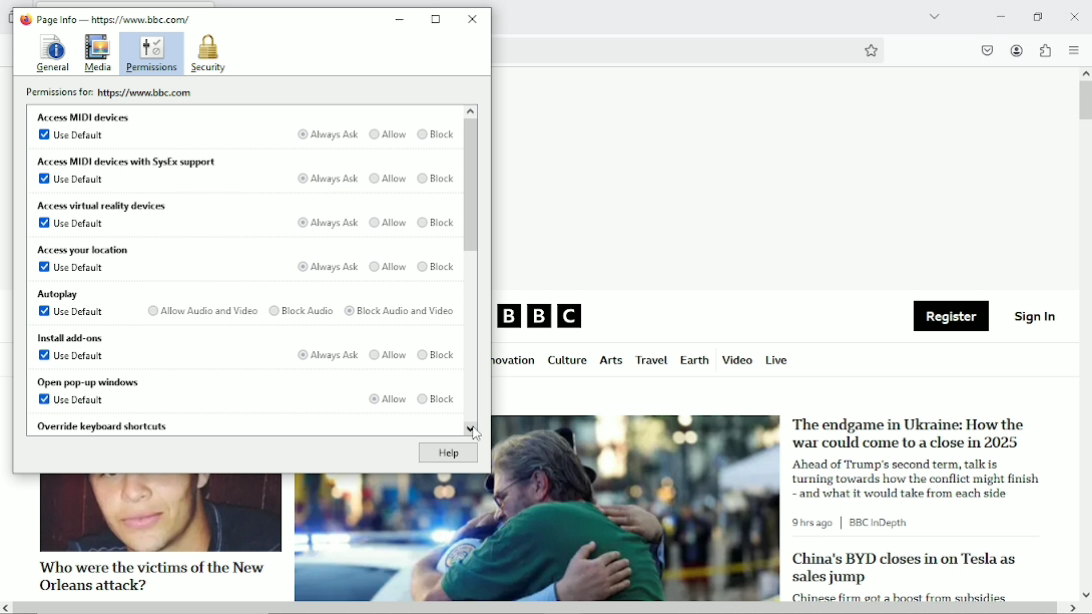 This screenshot has height=614, width=1092. I want to click on 9 hrs ago | BBC in Depth, so click(854, 523).